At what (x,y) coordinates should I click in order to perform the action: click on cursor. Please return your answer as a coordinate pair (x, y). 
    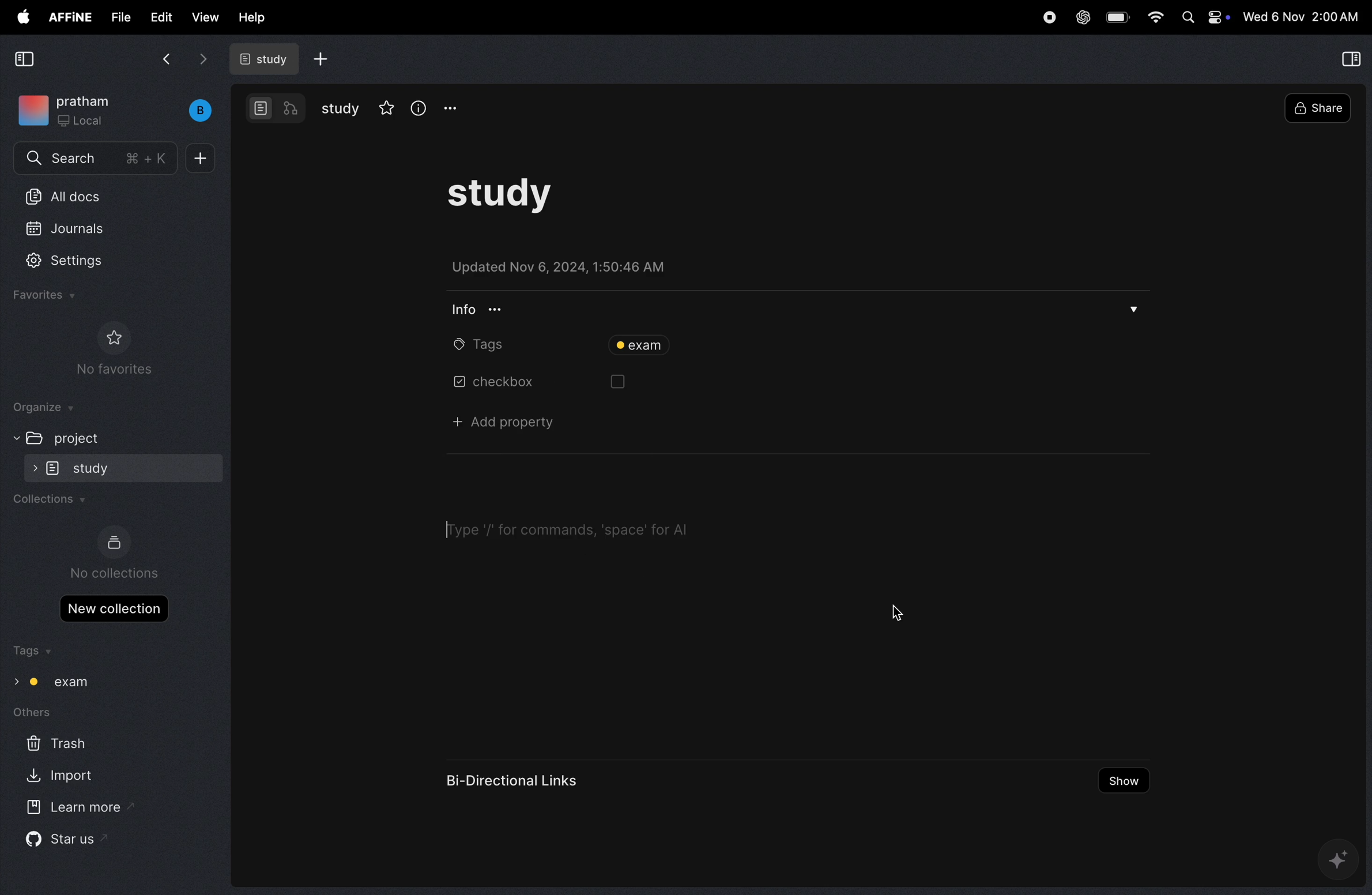
    Looking at the image, I should click on (583, 529).